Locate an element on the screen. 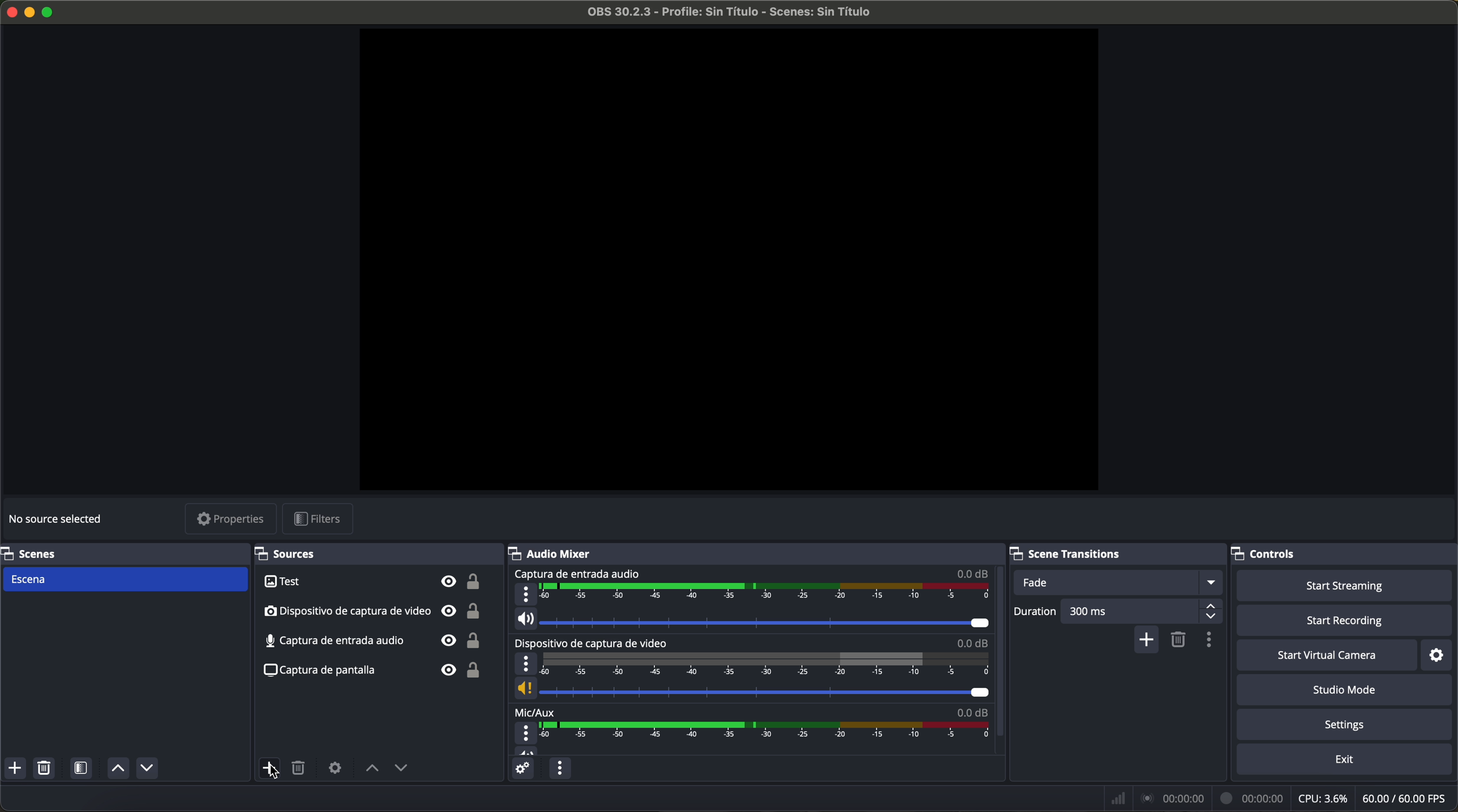 The height and width of the screenshot is (812, 1458). 0.0 dB is located at coordinates (973, 574).